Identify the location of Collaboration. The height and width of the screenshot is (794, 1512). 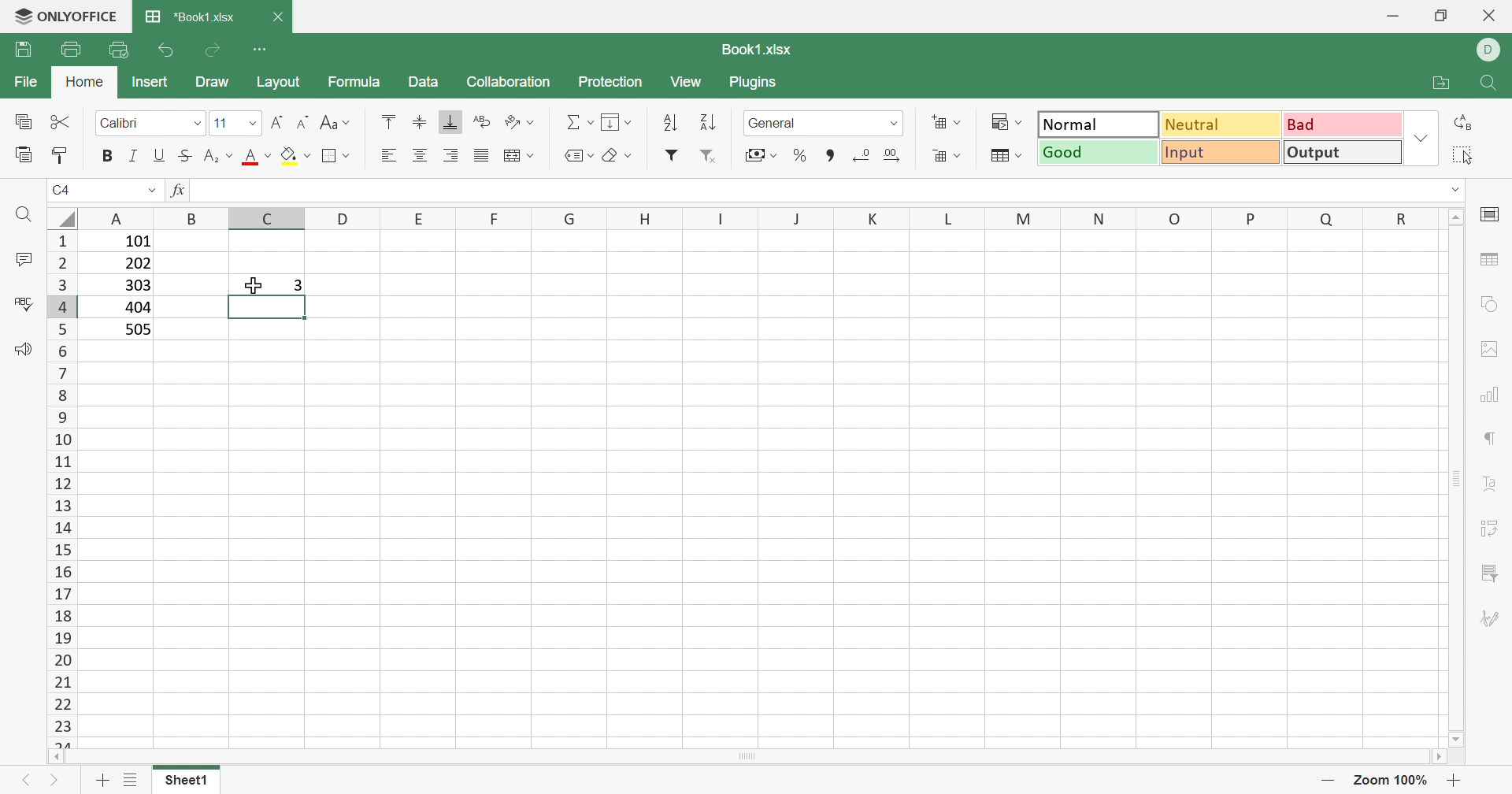
(508, 82).